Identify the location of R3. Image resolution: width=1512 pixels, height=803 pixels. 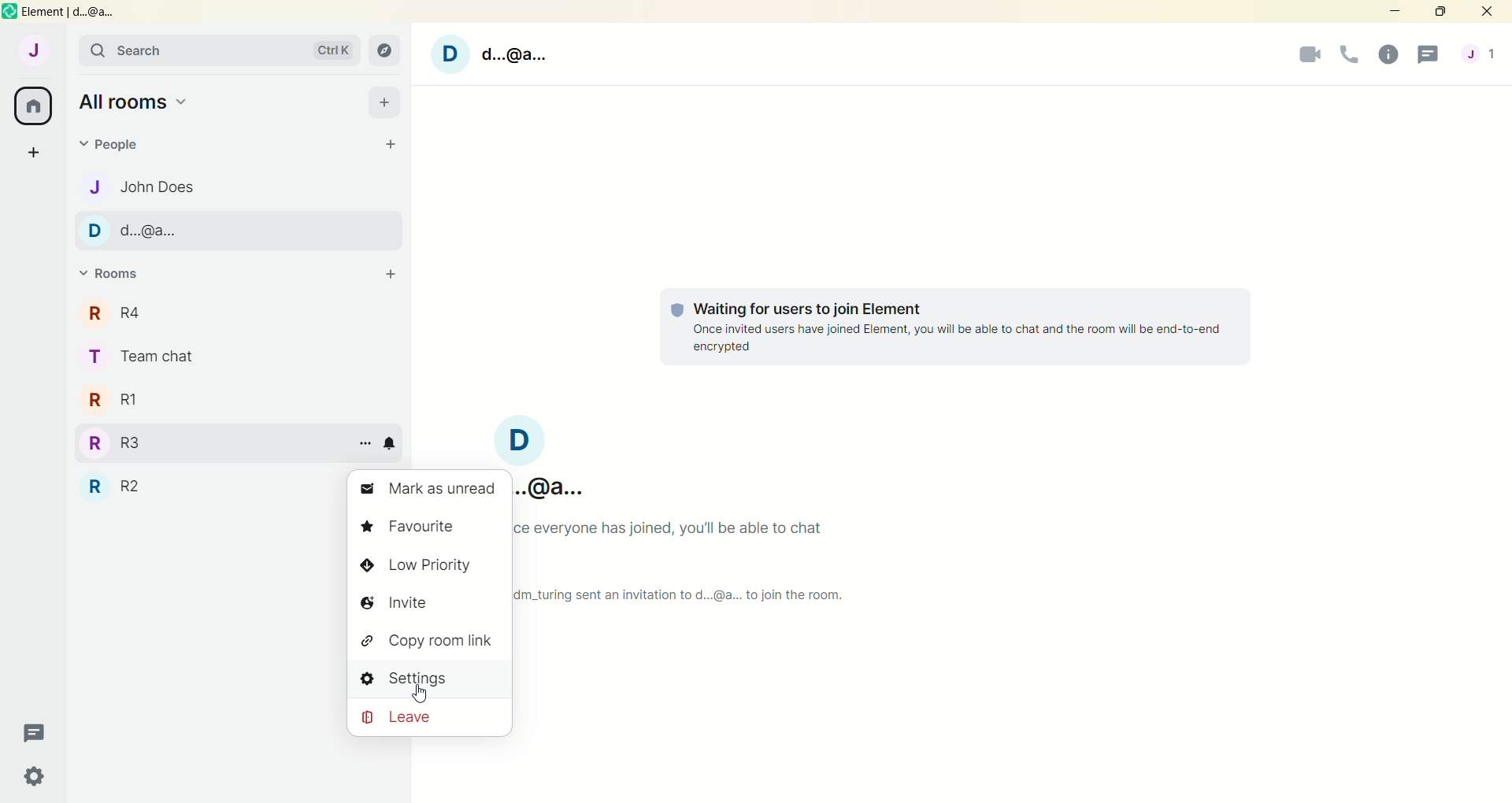
(207, 442).